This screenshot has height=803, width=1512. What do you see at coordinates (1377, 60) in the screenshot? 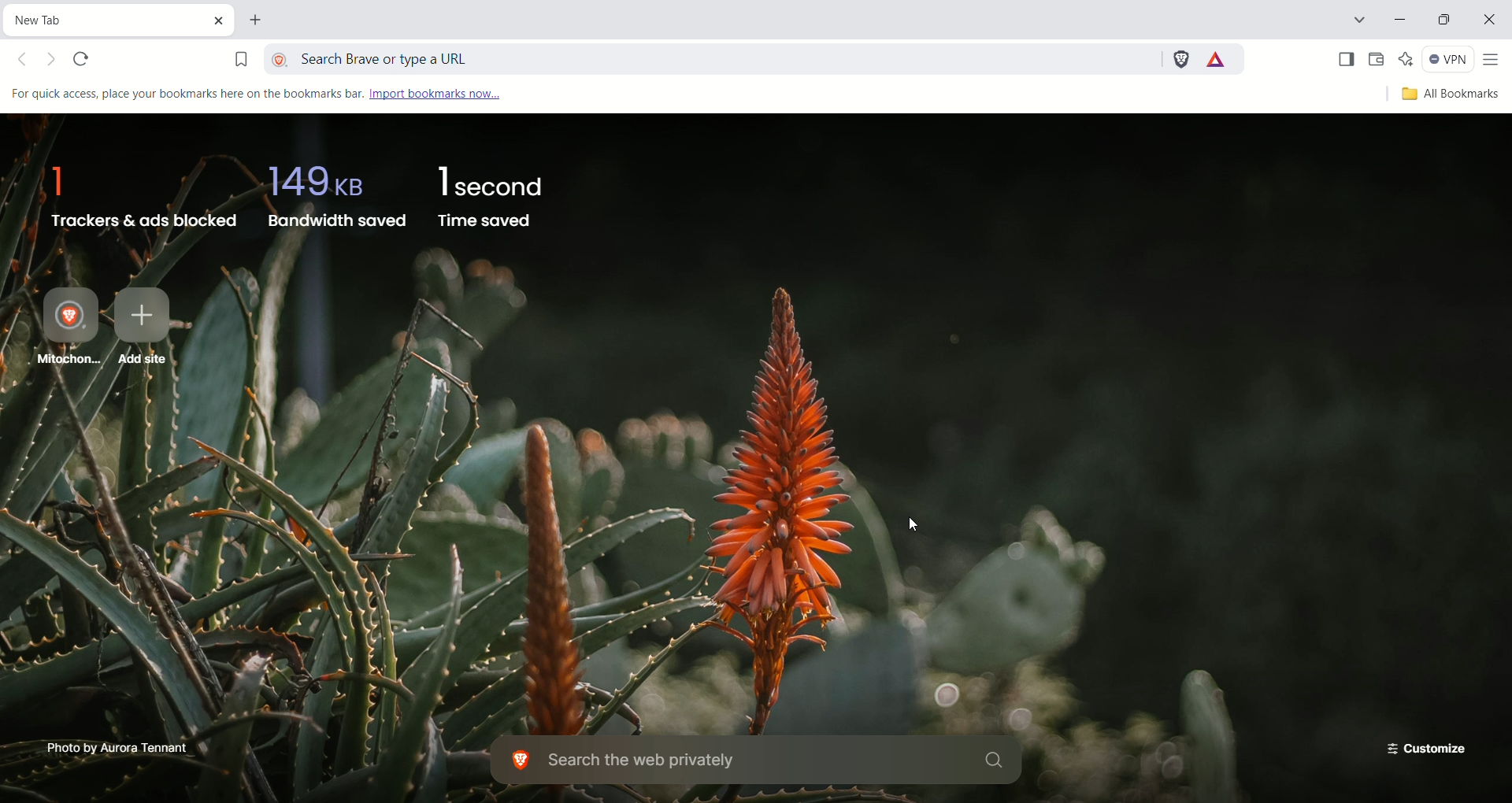
I see `wallet` at bounding box center [1377, 60].